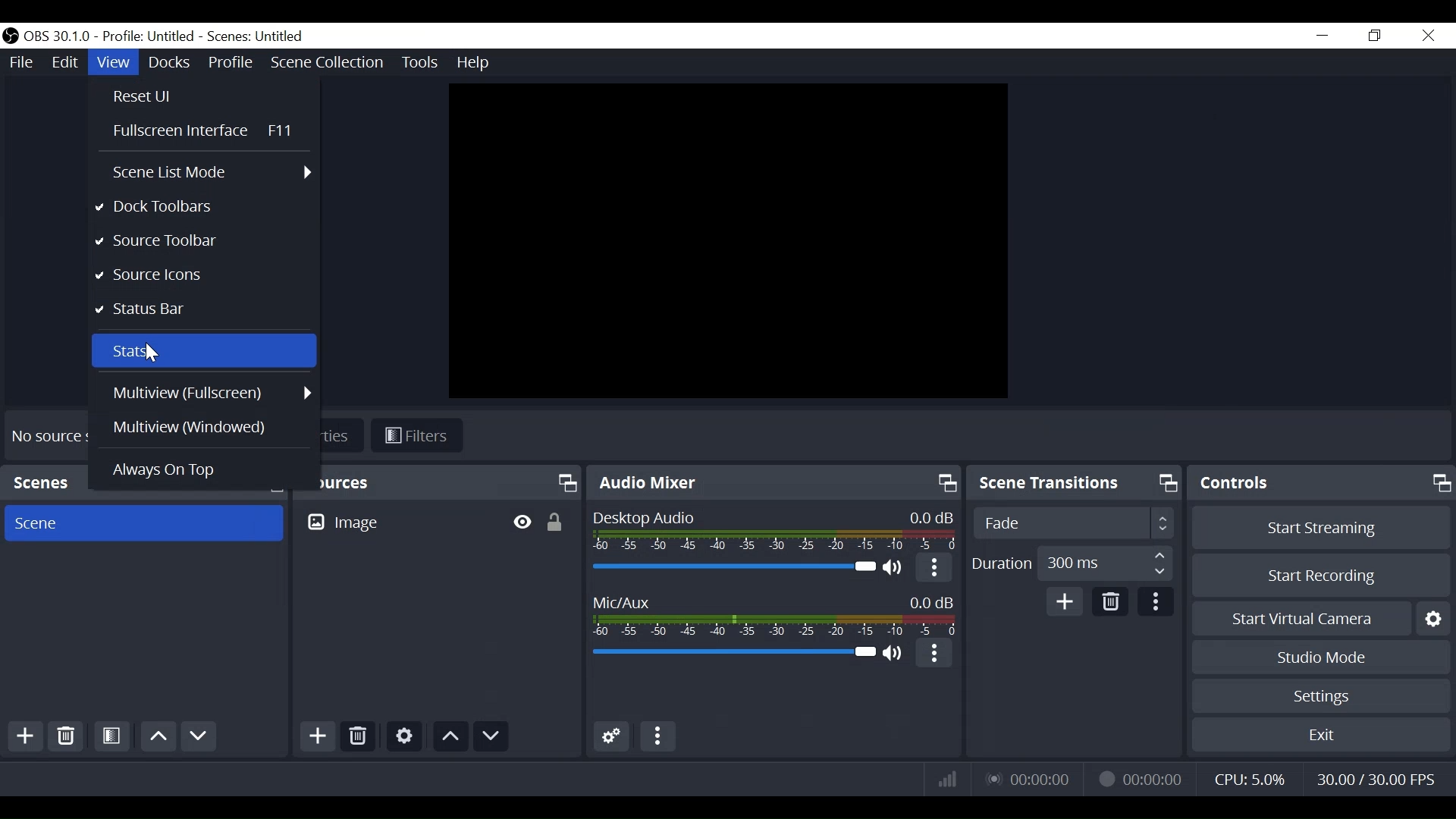 The image size is (1456, 819). What do you see at coordinates (154, 95) in the screenshot?
I see `Reset UI` at bounding box center [154, 95].